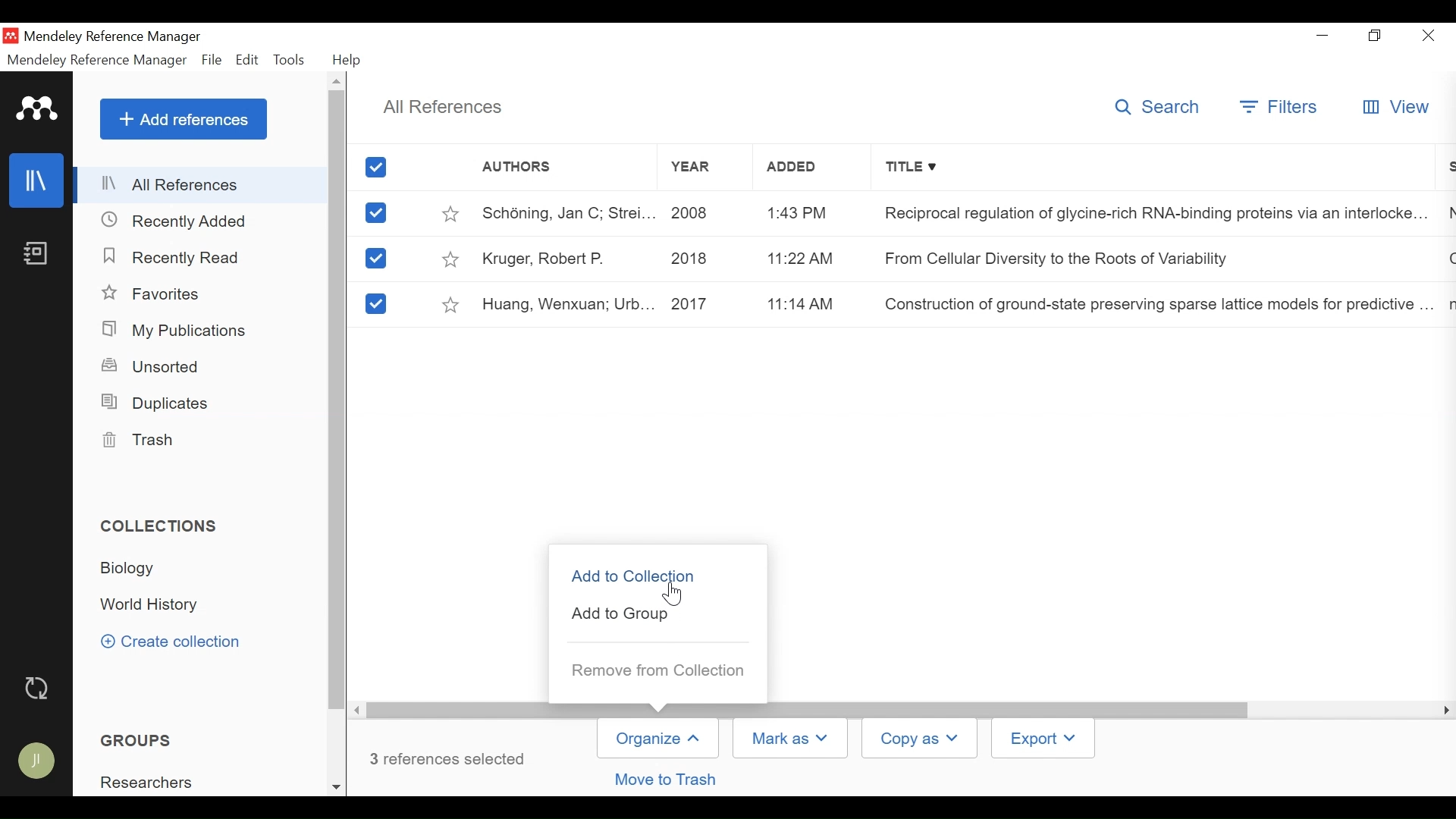 This screenshot has width=1456, height=819. What do you see at coordinates (804, 303) in the screenshot?
I see `11:14 AM` at bounding box center [804, 303].